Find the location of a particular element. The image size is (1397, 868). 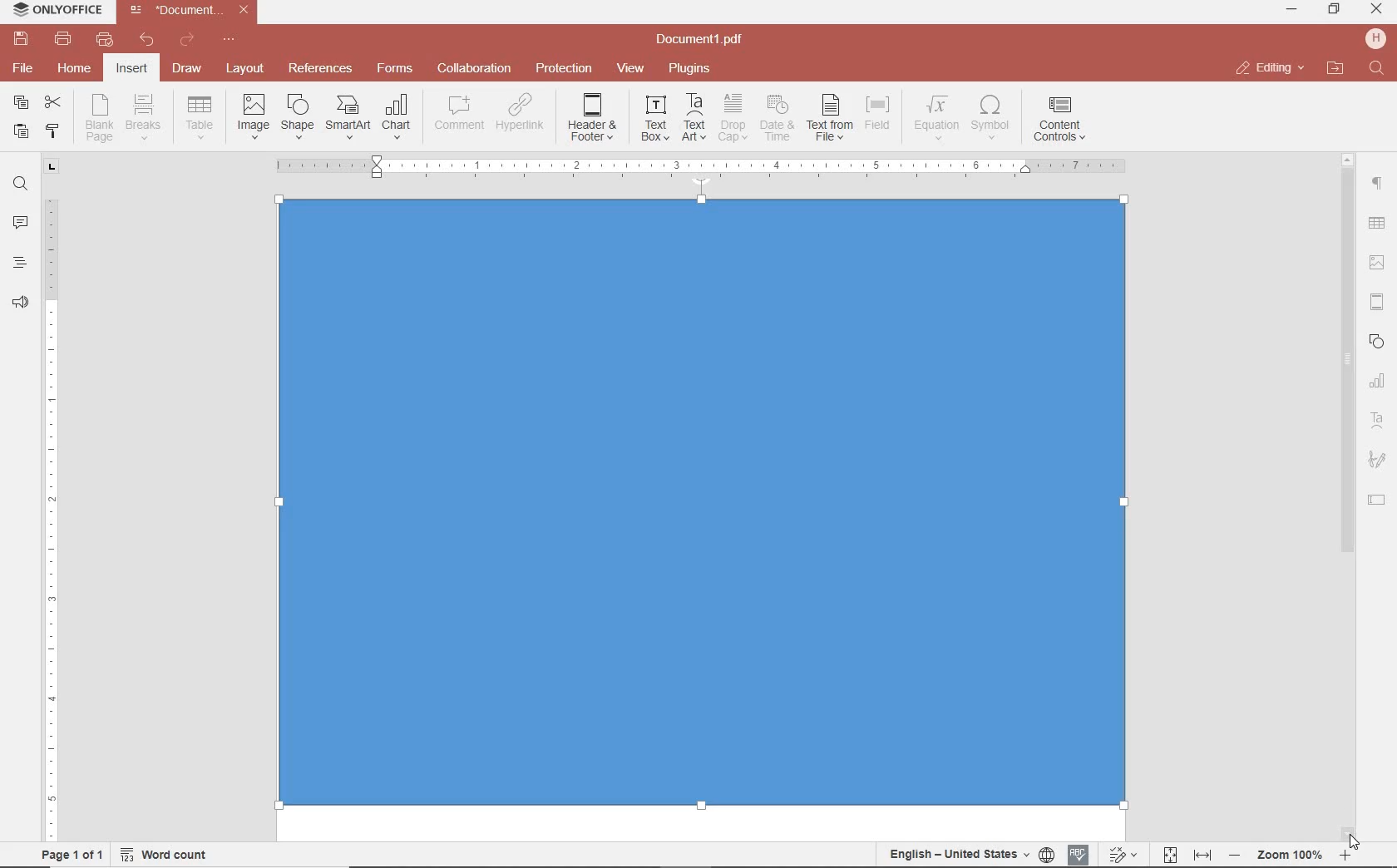

cut is located at coordinates (52, 104).